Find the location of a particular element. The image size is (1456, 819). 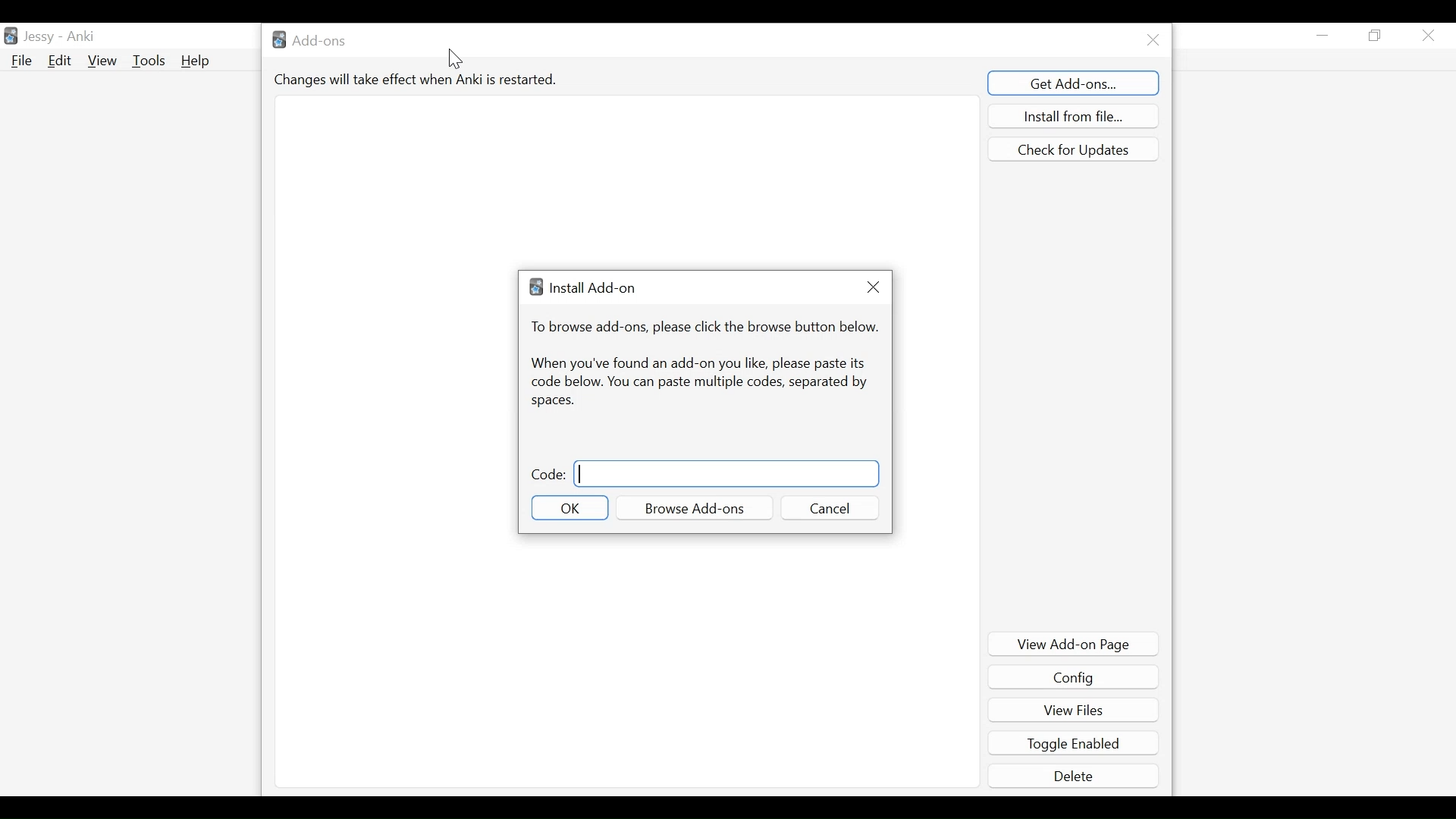

Close is located at coordinates (1152, 39).